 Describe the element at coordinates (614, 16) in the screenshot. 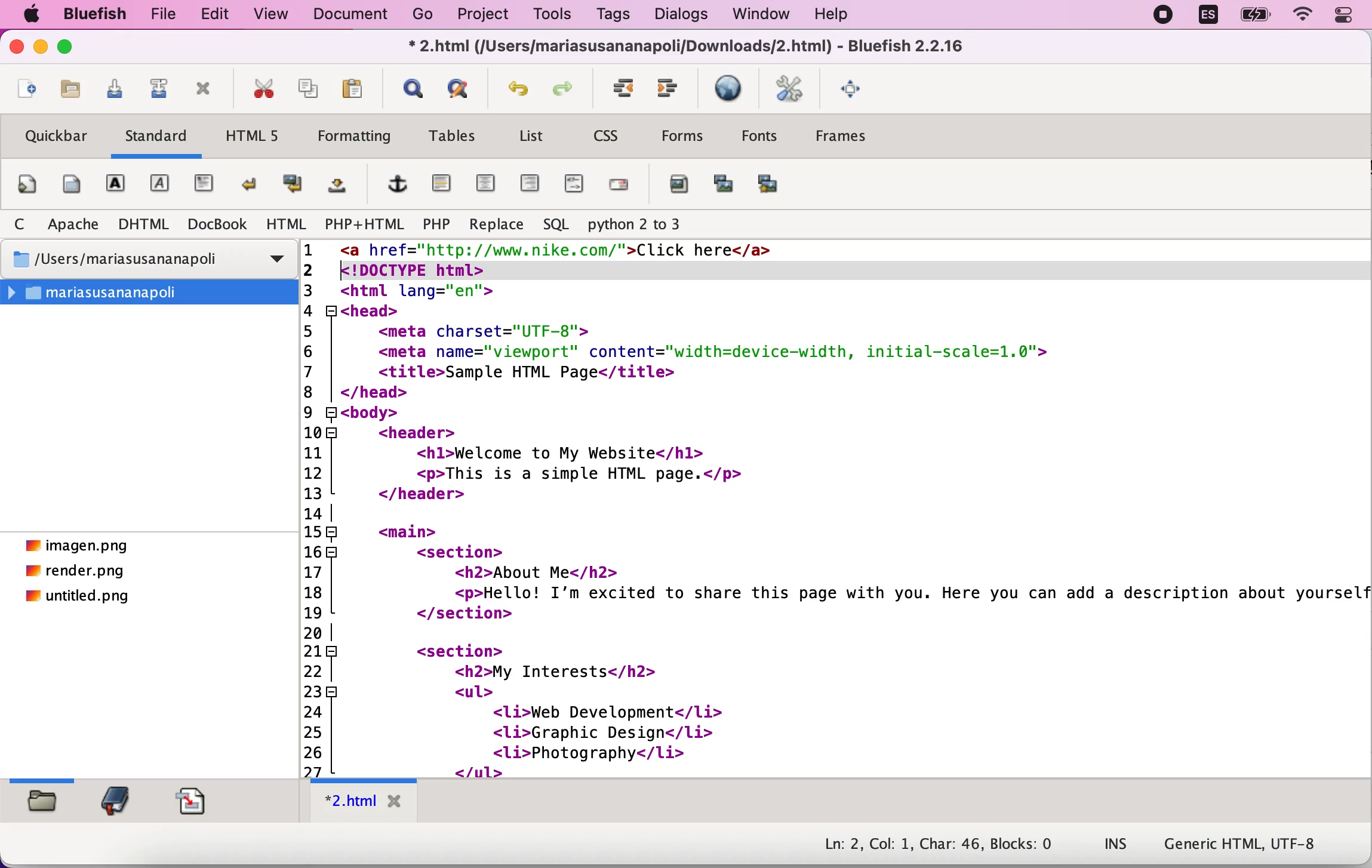

I see `tags` at that location.